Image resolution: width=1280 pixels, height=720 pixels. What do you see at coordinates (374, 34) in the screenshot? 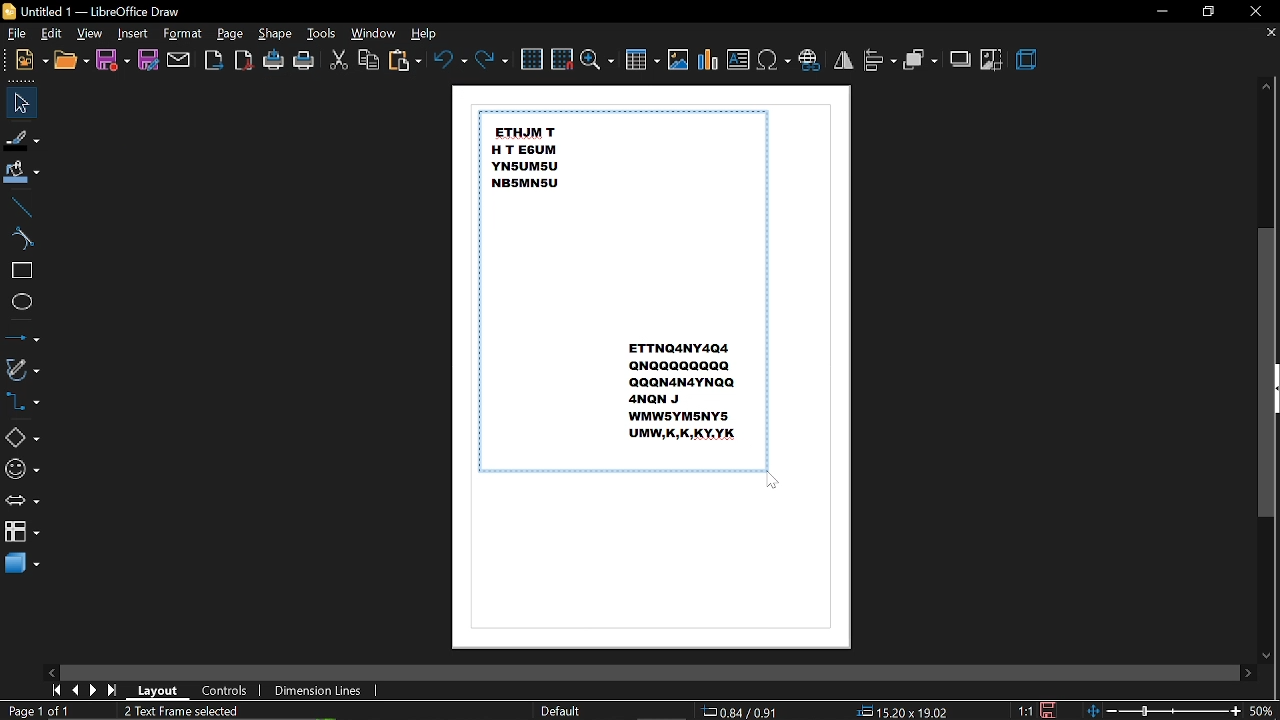
I see `window` at bounding box center [374, 34].